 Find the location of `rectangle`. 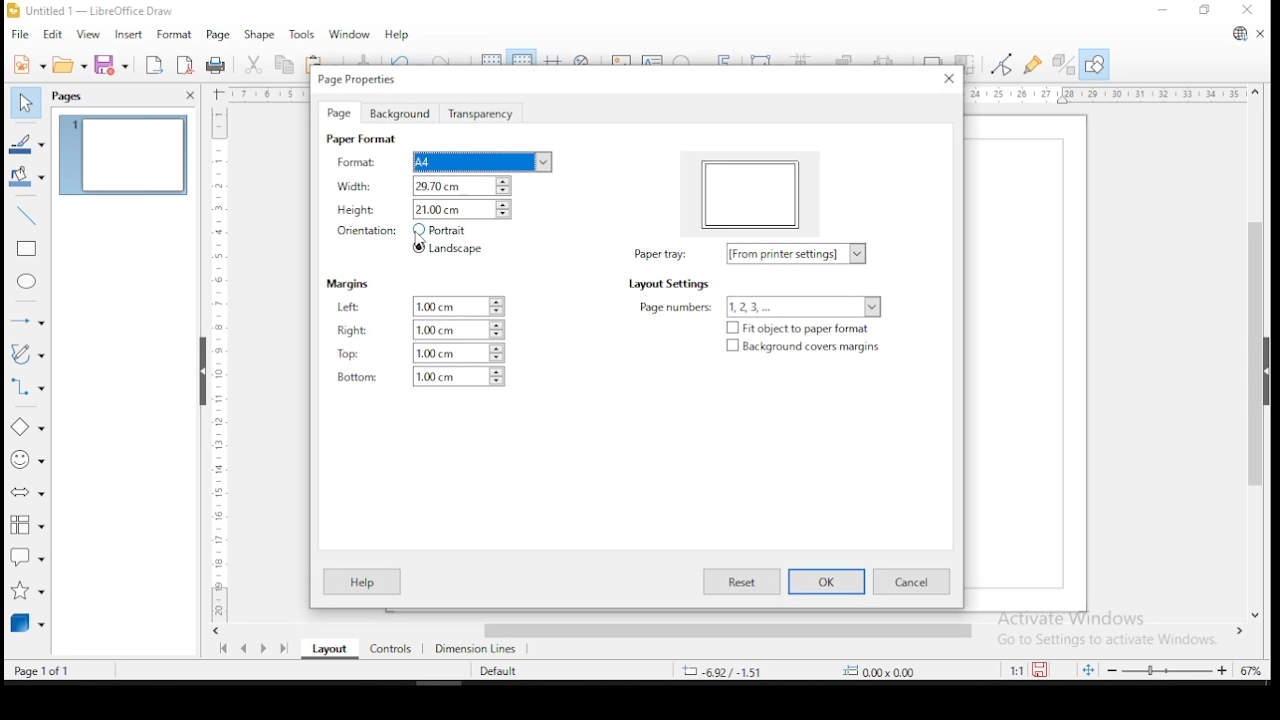

rectangle is located at coordinates (25, 250).